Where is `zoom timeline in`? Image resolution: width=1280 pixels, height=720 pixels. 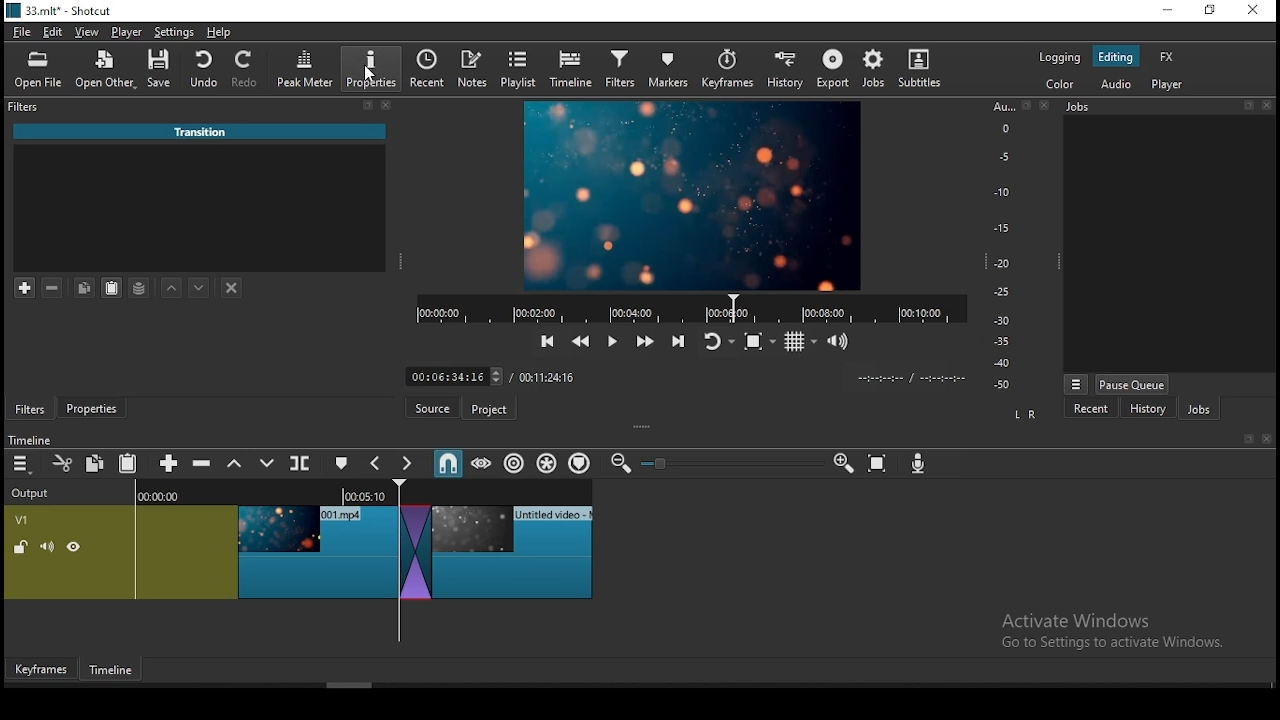
zoom timeline in is located at coordinates (843, 464).